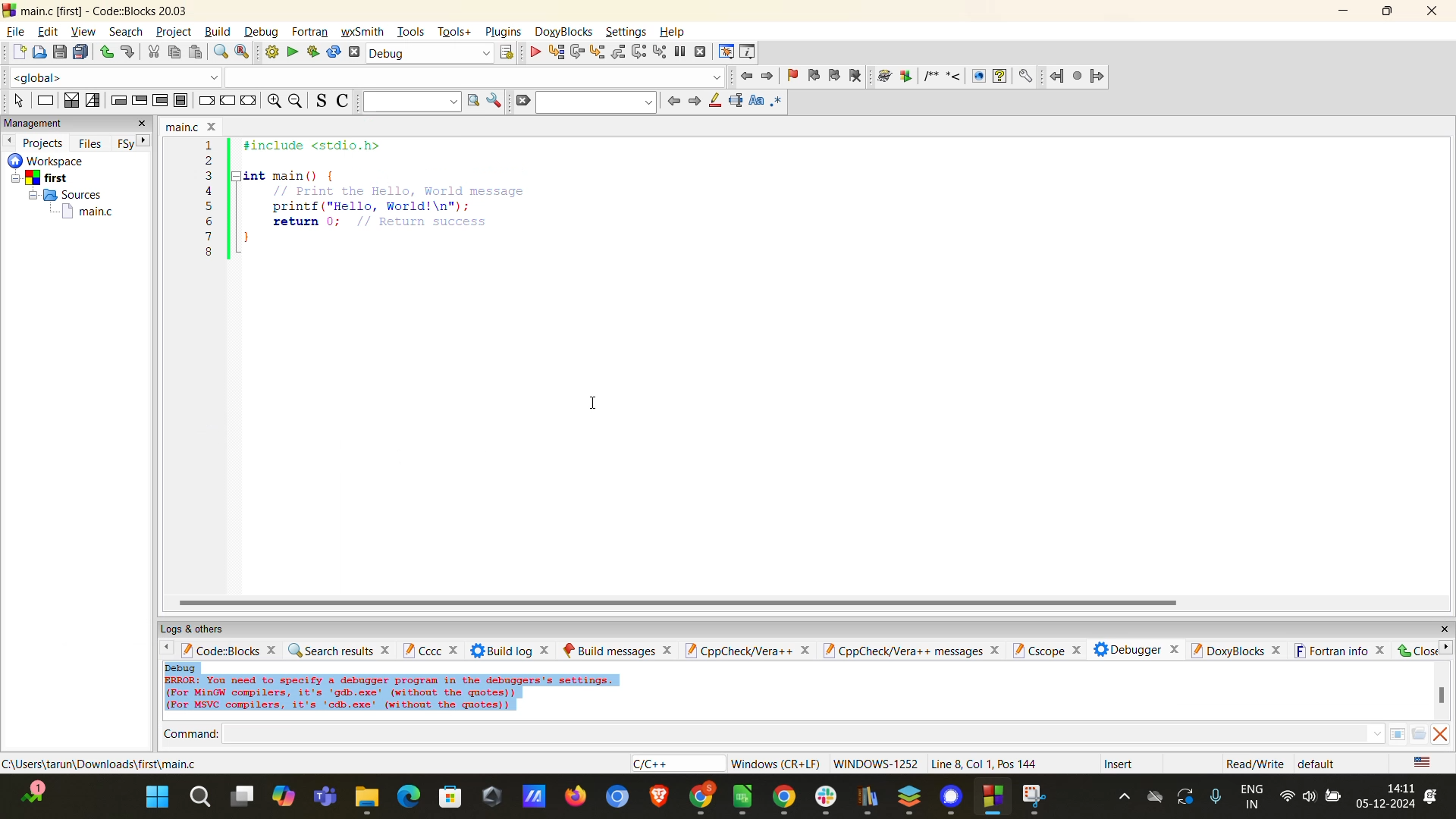  What do you see at coordinates (510, 652) in the screenshot?
I see `build log` at bounding box center [510, 652].